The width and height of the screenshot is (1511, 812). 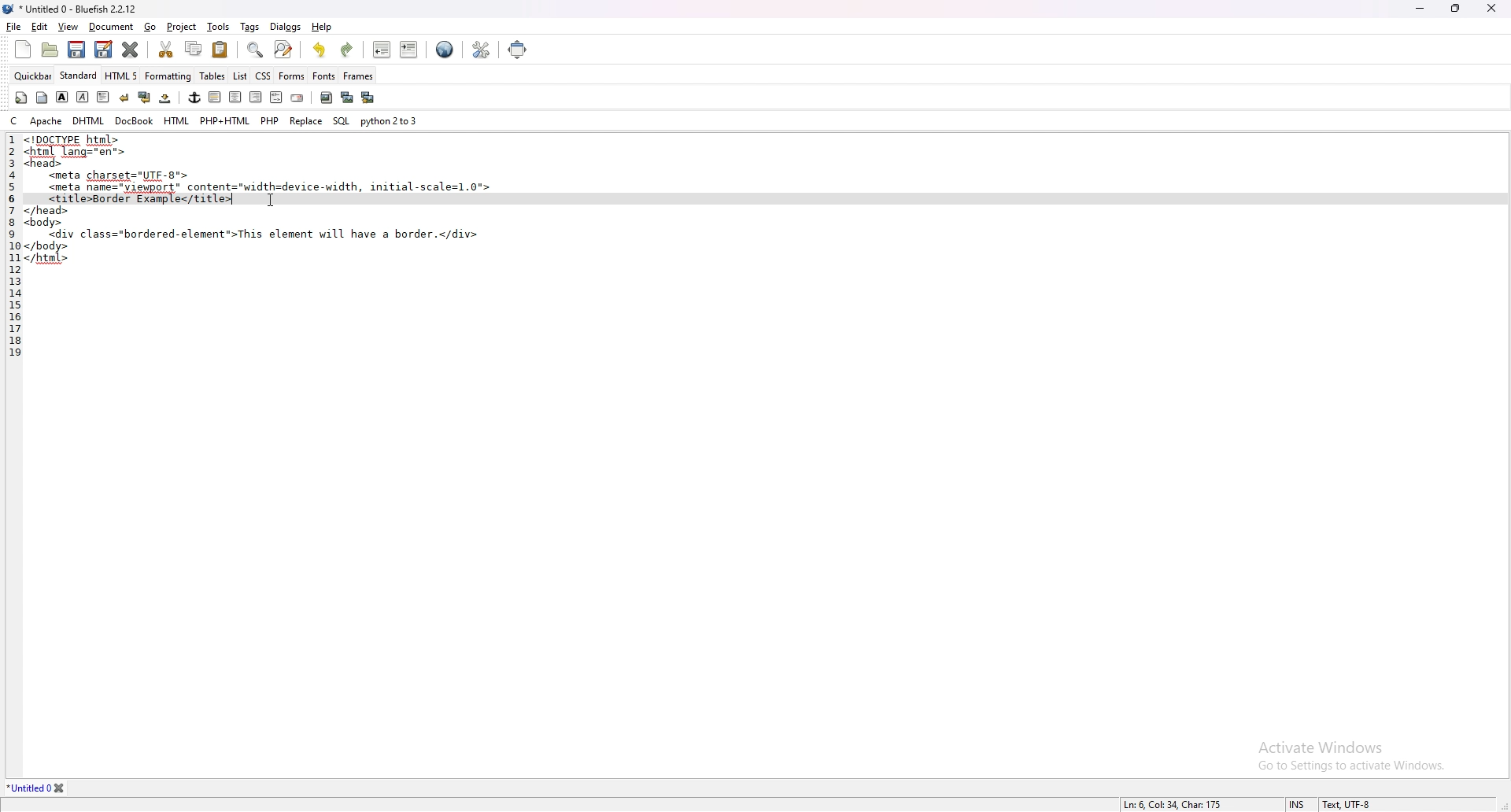 What do you see at coordinates (79, 10) in the screenshot?
I see `* Untitled 0 - Bluefish 2.2.12` at bounding box center [79, 10].